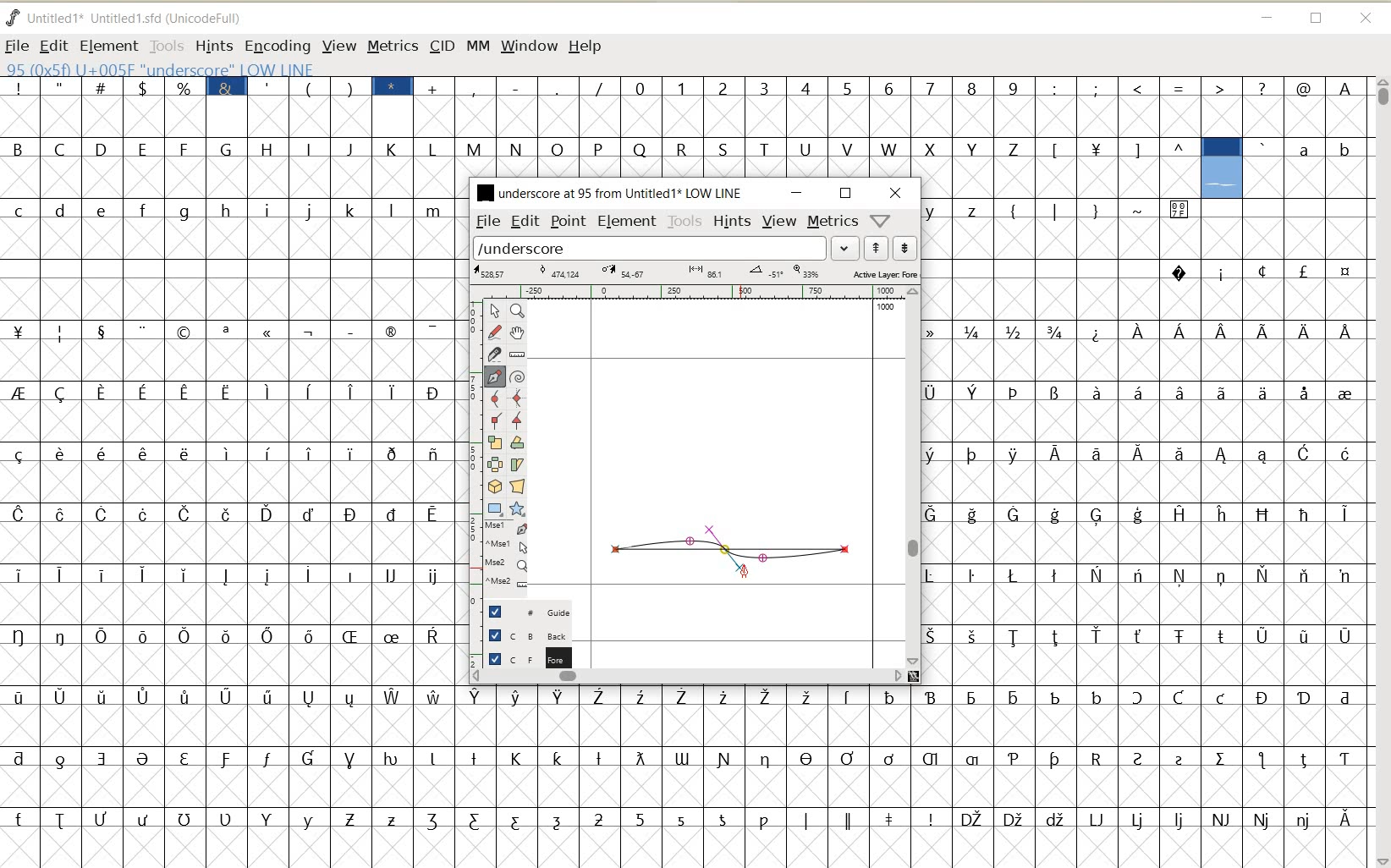 Image resolution: width=1391 pixels, height=868 pixels. I want to click on flip the selection, so click(494, 464).